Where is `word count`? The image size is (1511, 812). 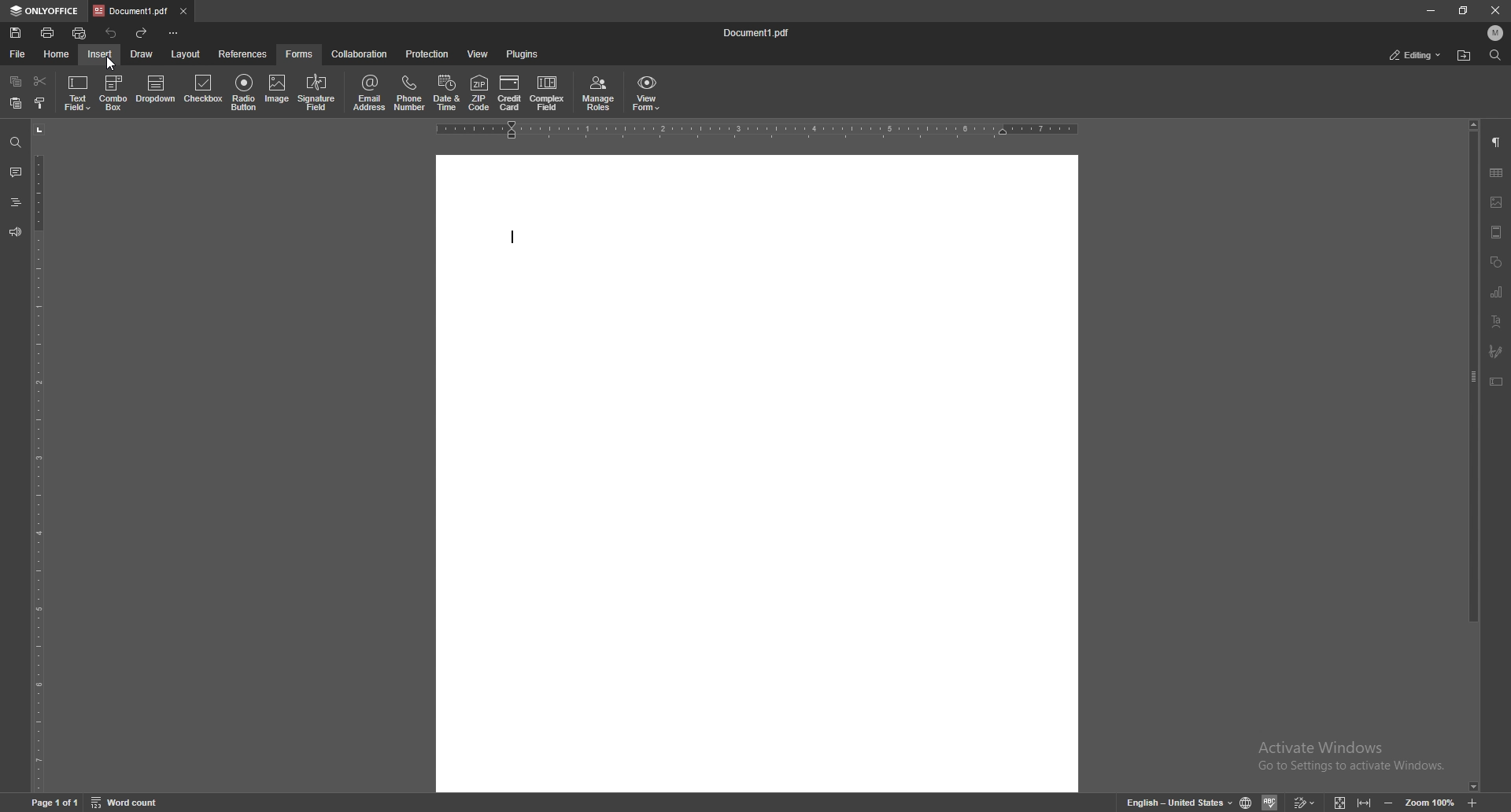 word count is located at coordinates (126, 803).